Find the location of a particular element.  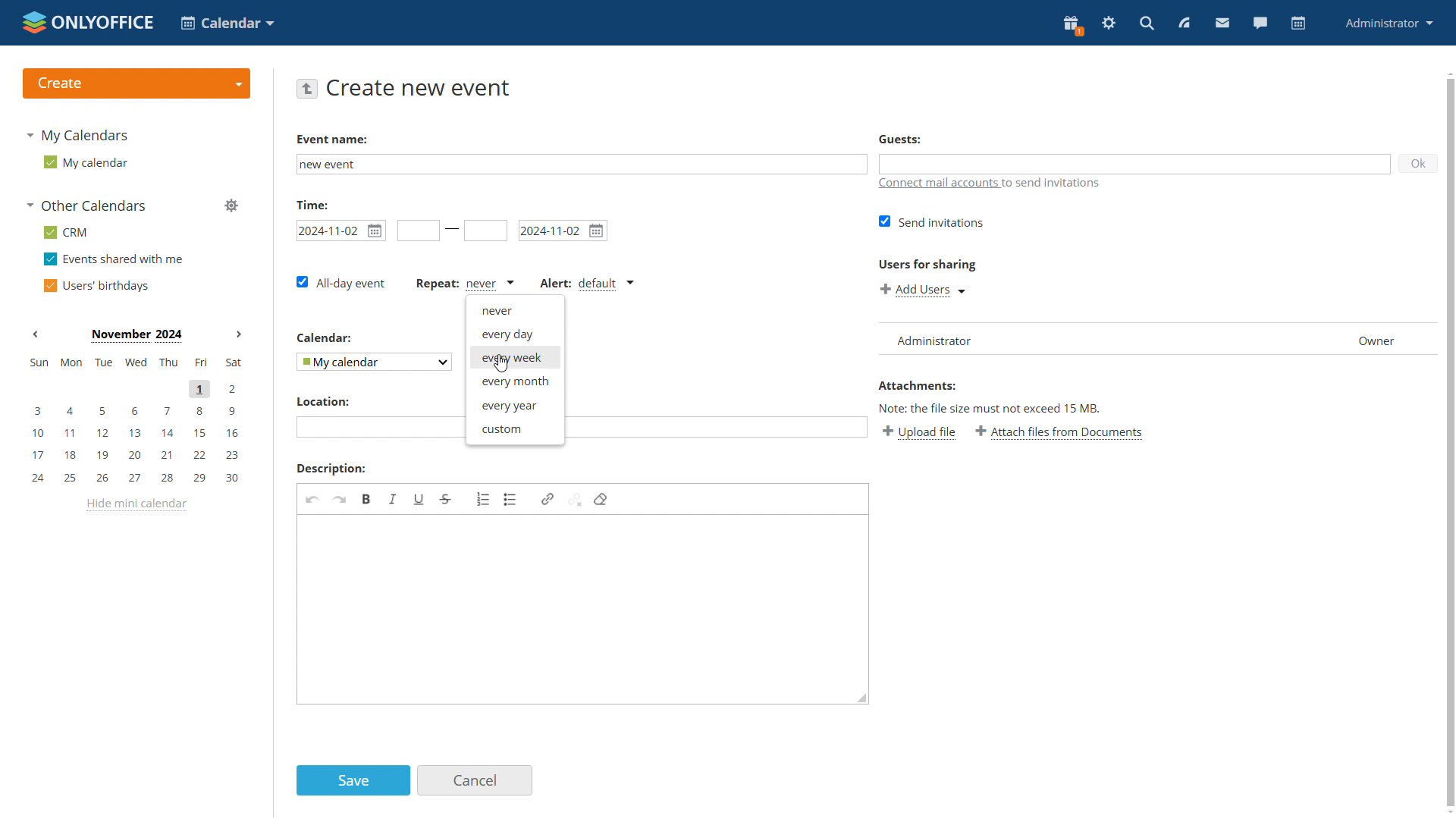

italic is located at coordinates (394, 500).